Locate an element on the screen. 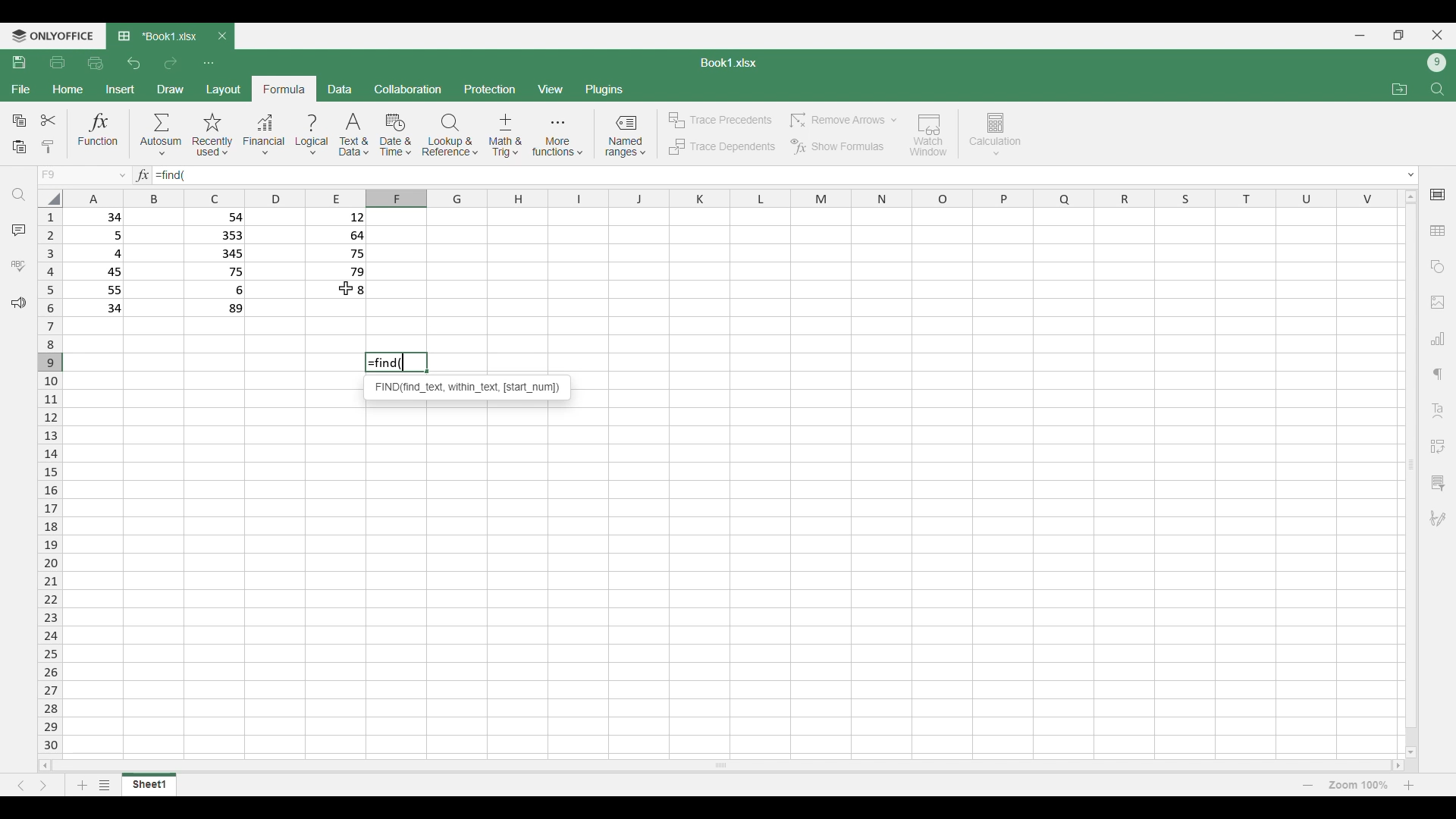  Undo is located at coordinates (135, 63).